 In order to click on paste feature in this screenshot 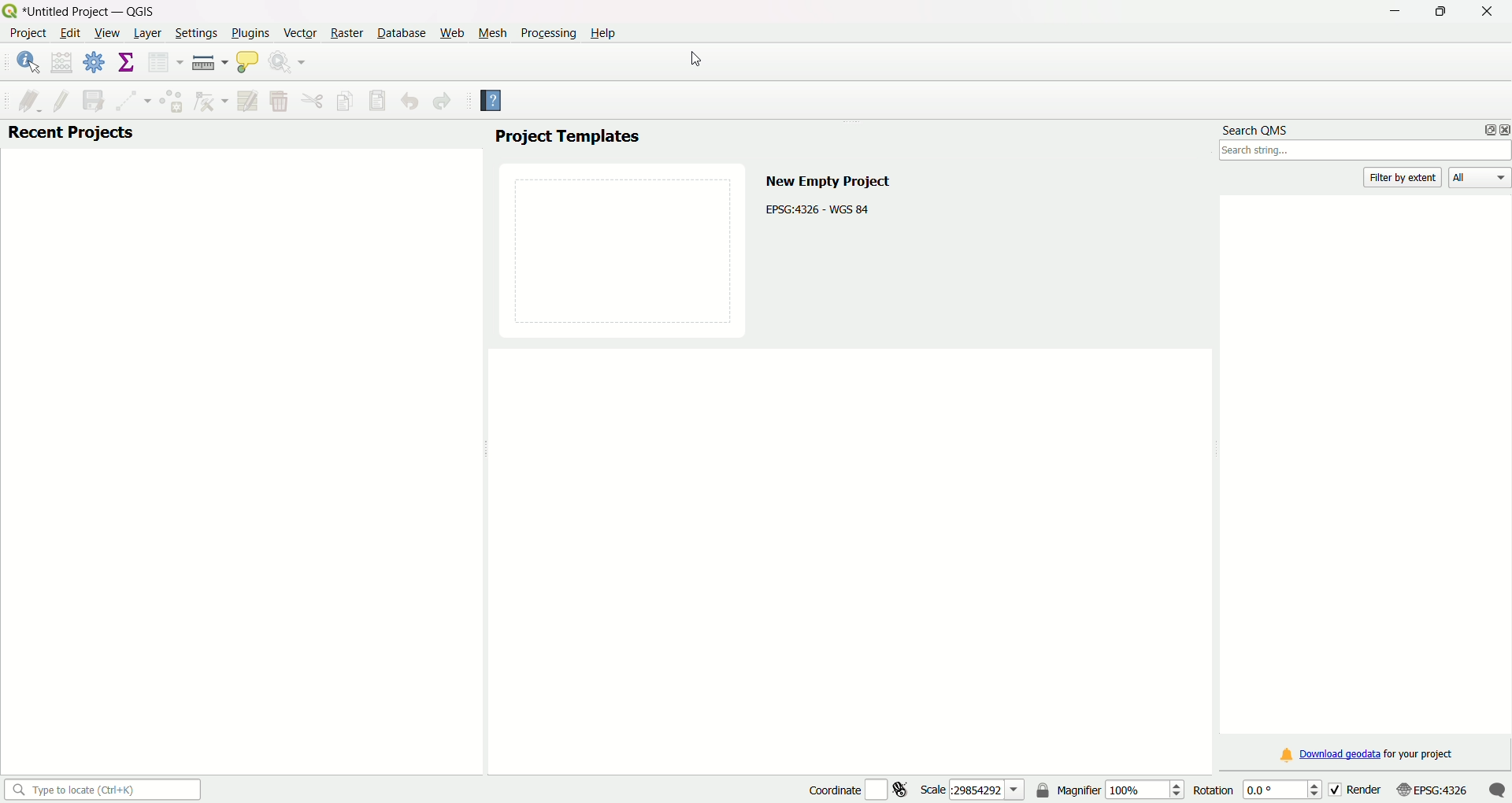, I will do `click(378, 101)`.